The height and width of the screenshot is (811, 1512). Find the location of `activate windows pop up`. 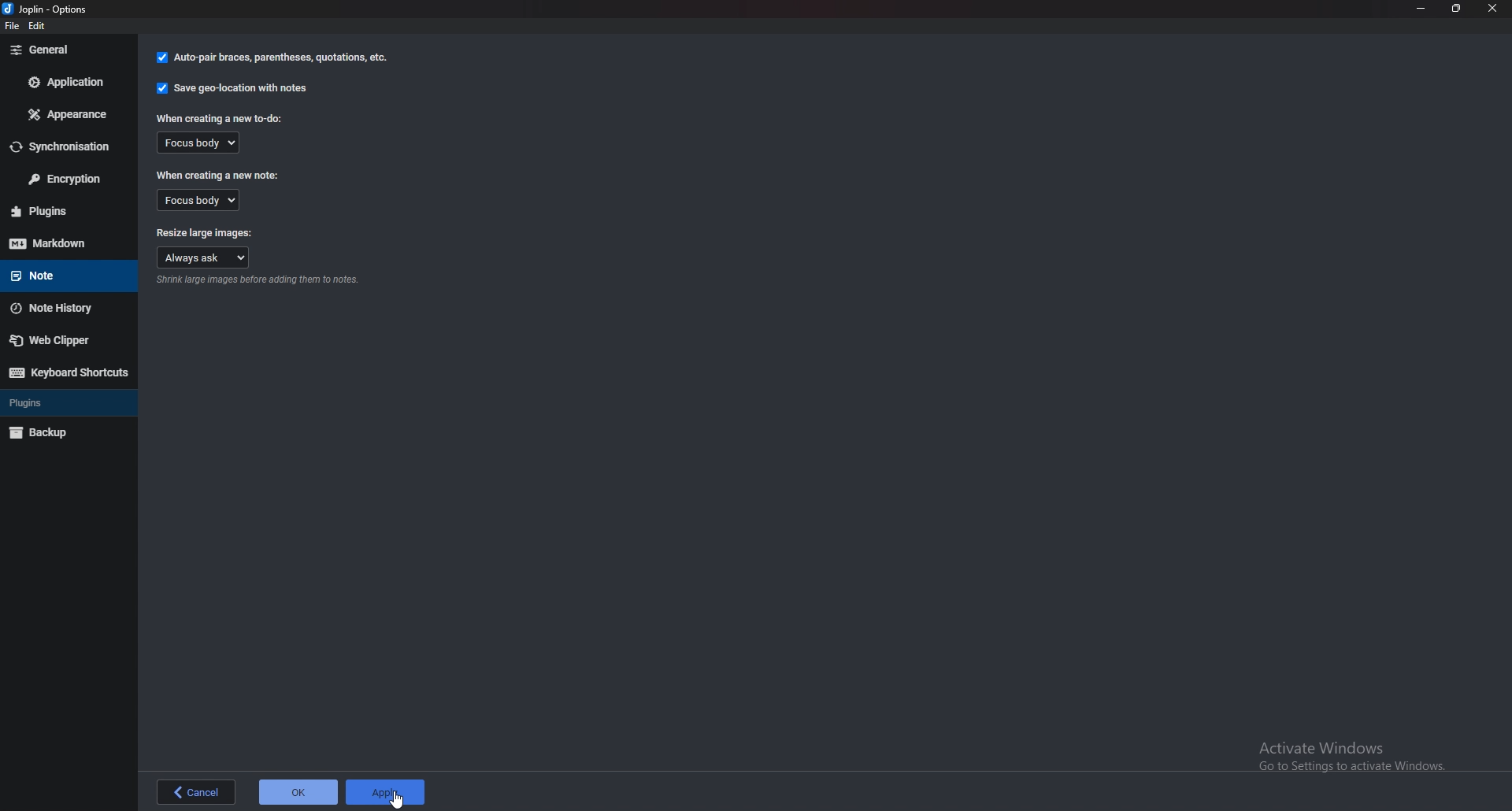

activate windows pop up is located at coordinates (1351, 757).